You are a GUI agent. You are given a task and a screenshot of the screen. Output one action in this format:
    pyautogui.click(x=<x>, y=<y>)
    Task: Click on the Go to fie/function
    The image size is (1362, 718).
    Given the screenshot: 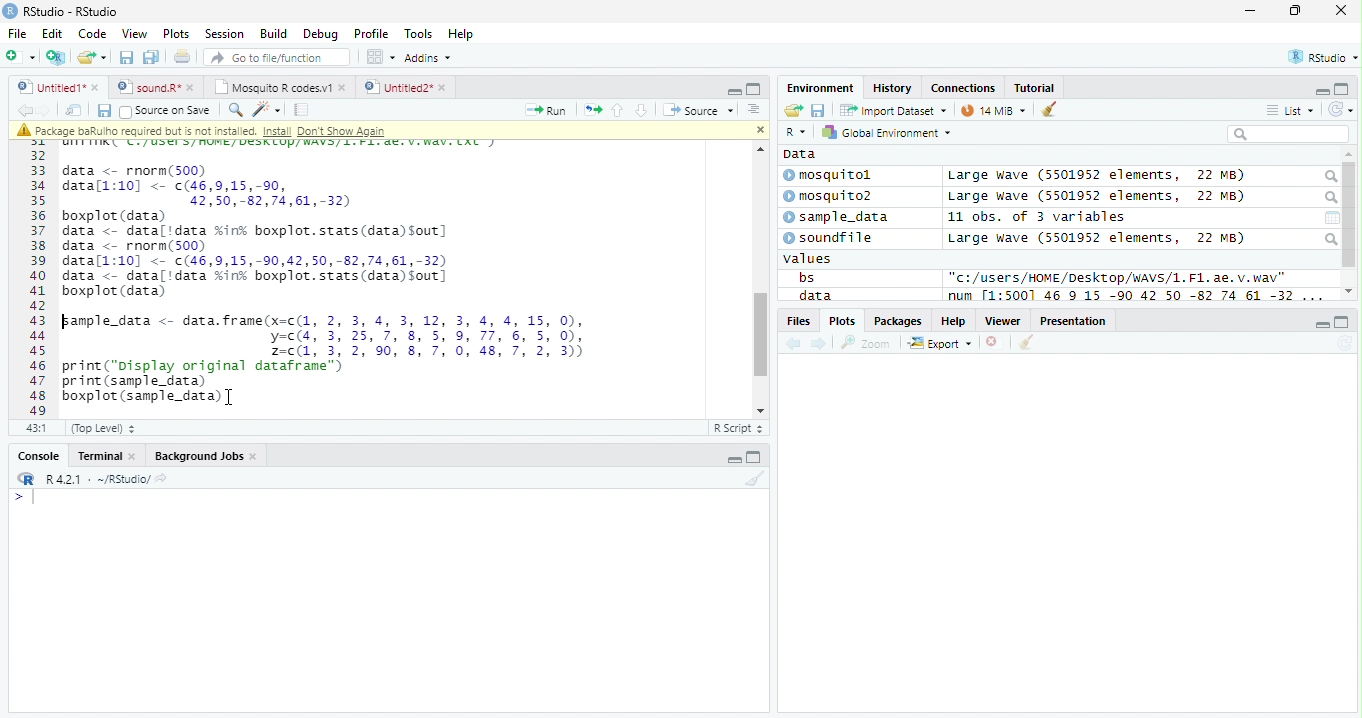 What is the action you would take?
    pyautogui.click(x=277, y=57)
    